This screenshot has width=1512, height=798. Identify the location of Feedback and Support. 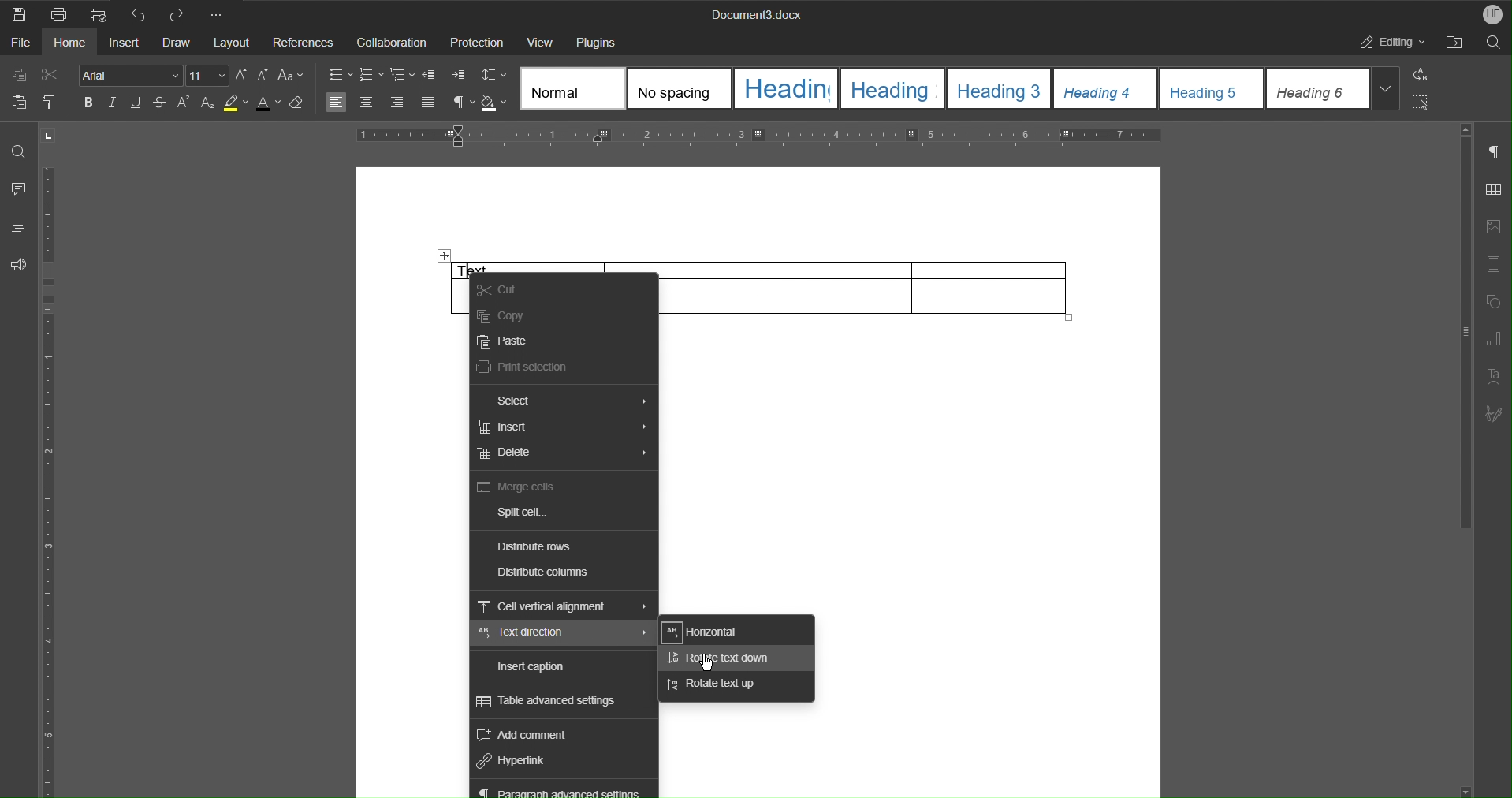
(19, 261).